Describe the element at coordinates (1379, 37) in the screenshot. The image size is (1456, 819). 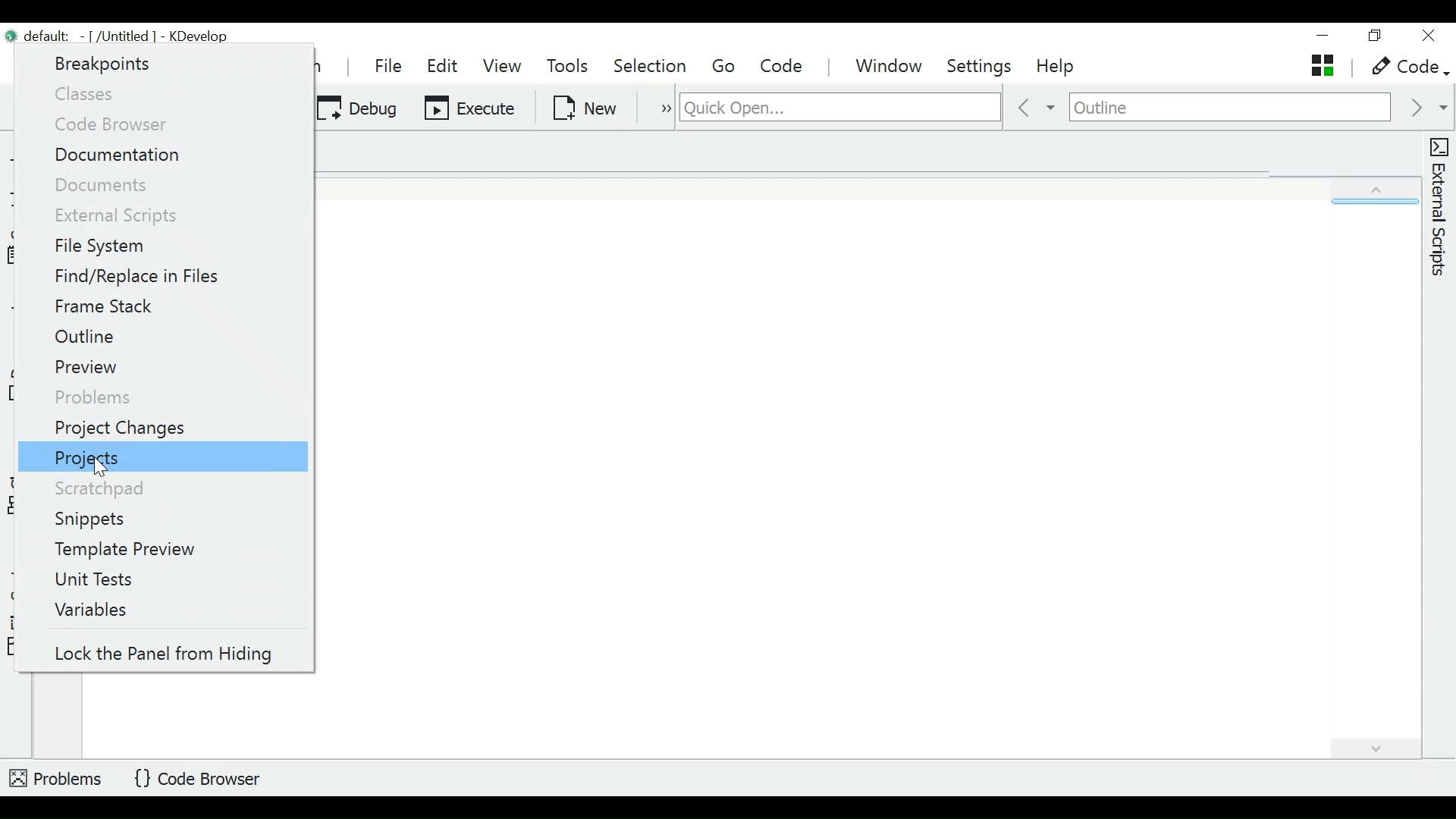
I see `restore` at that location.